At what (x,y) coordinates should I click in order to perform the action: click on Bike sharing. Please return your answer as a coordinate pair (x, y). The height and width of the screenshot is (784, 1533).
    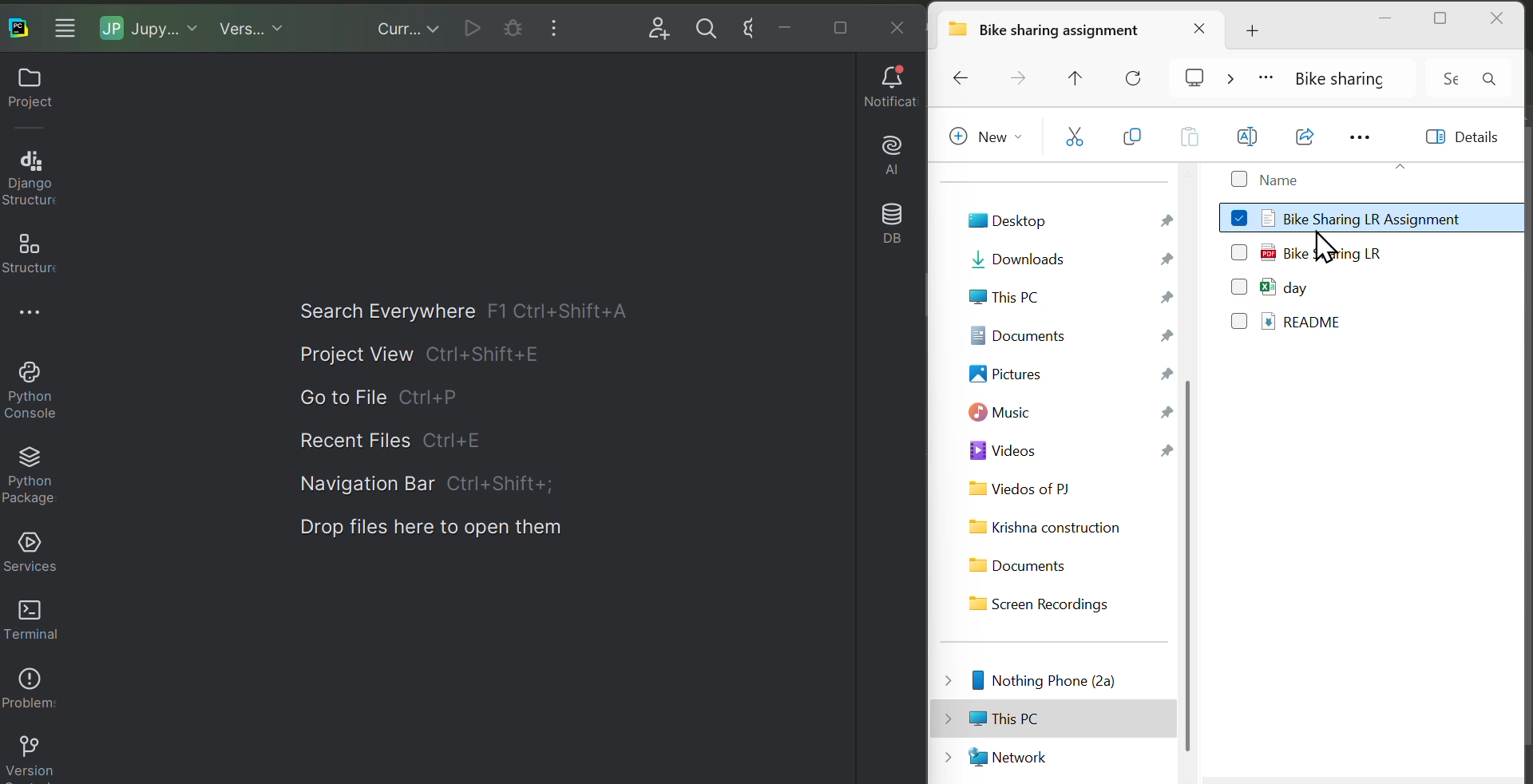
    Looking at the image, I should click on (1338, 77).